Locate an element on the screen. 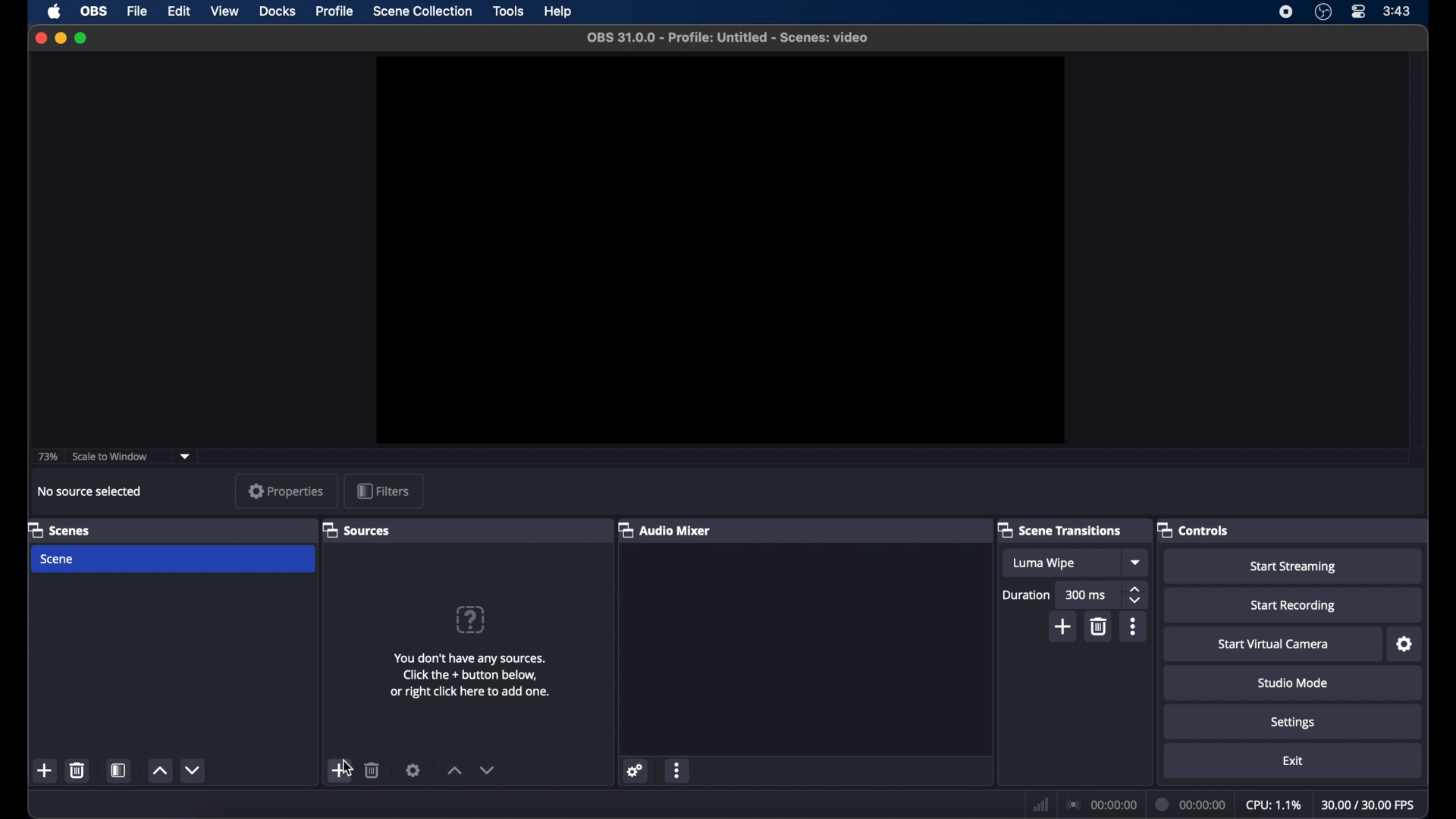  300 ms is located at coordinates (1087, 594).